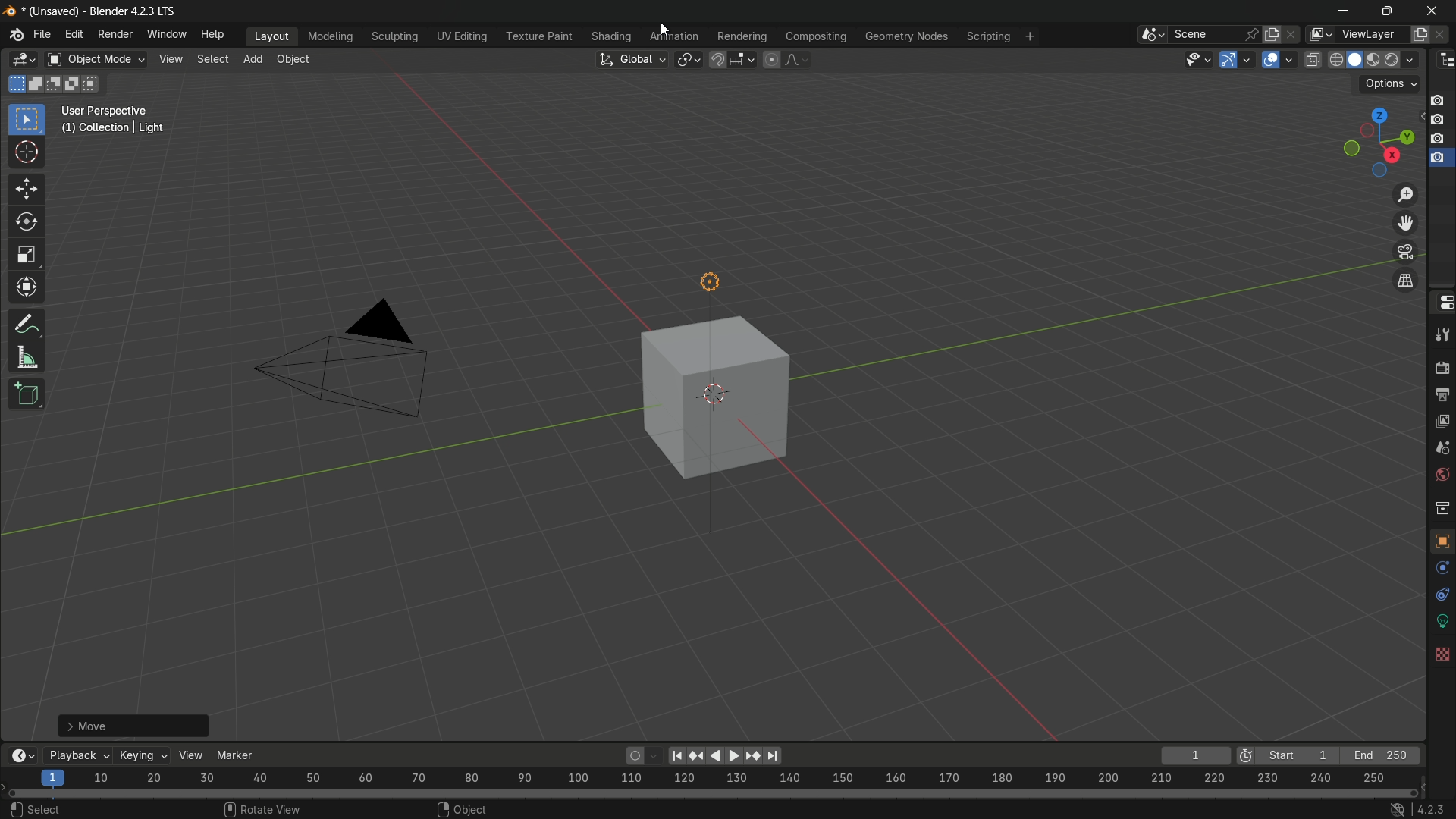 The height and width of the screenshot is (819, 1456). What do you see at coordinates (38, 83) in the screenshot?
I see `extend existing collection` at bounding box center [38, 83].